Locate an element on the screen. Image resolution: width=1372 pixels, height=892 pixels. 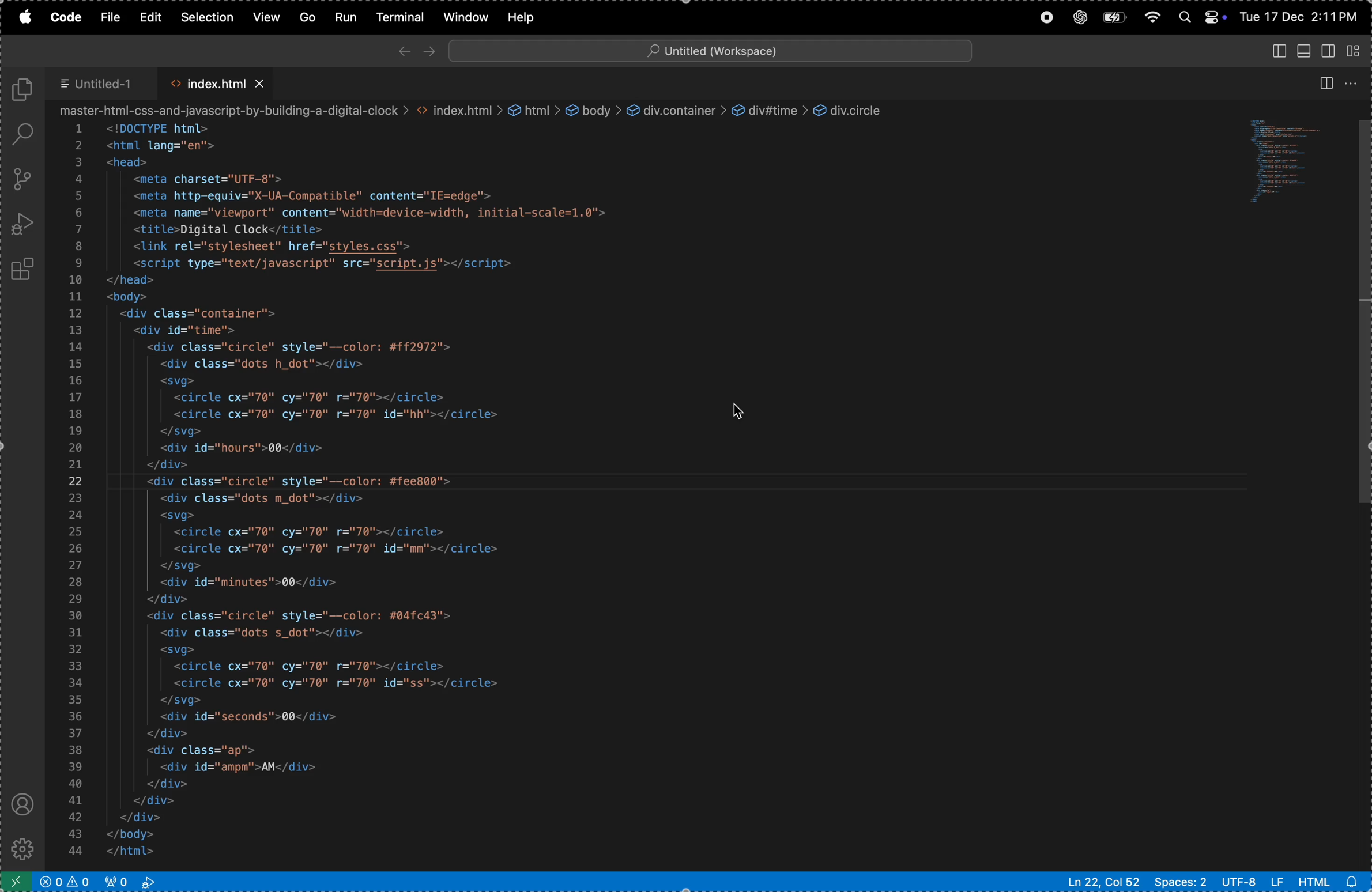
code block written in html for a web page is located at coordinates (467, 483).